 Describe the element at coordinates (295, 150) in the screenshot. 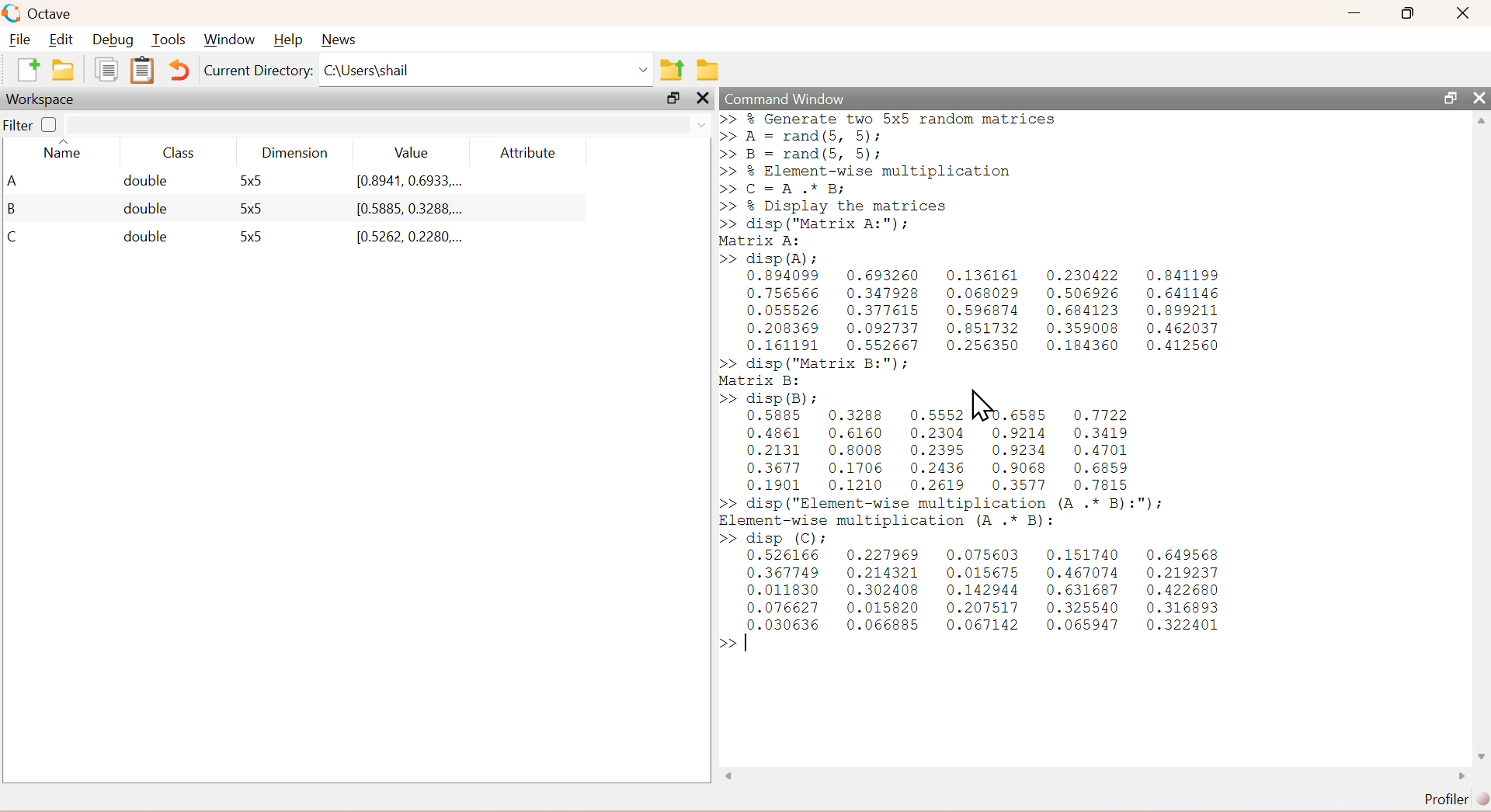

I see `DImension` at that location.